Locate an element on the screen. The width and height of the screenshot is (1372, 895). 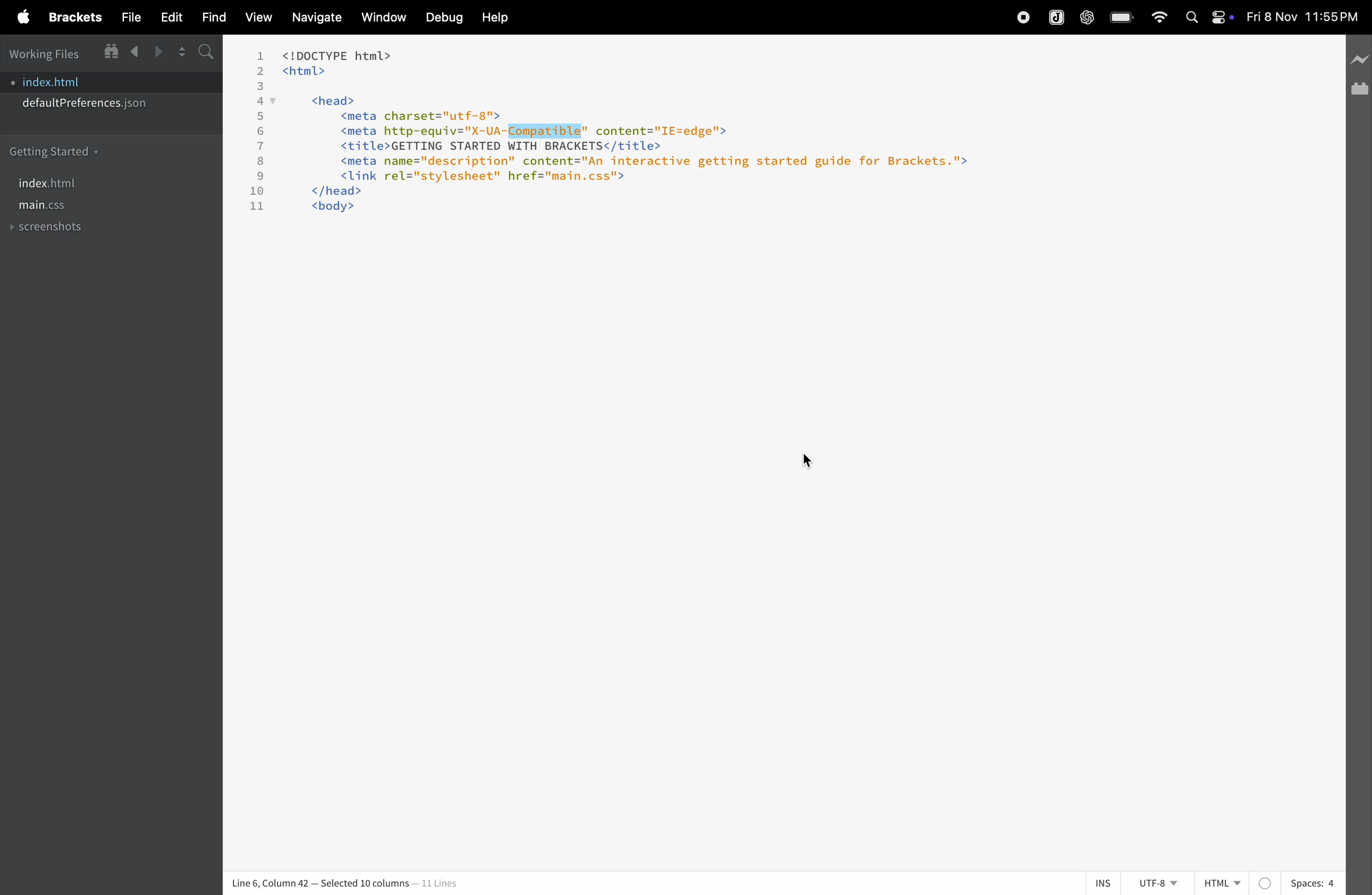
1 <!DOCTYPE html>

2 <html>

3

4 <head>

5 <meta charset="utf-8">

6 <meta http-equiv="X-UA-Compatible" content="IE=edge">
I <tit1le>GETTING STARTED WITH BRACKETS</title>

8 <meta name="description" content="An interactive getting started guide for Brackets.">
9 <link rel="stylesheet" href="main.css">

10 </head>

11 <body> is located at coordinates (643, 141).